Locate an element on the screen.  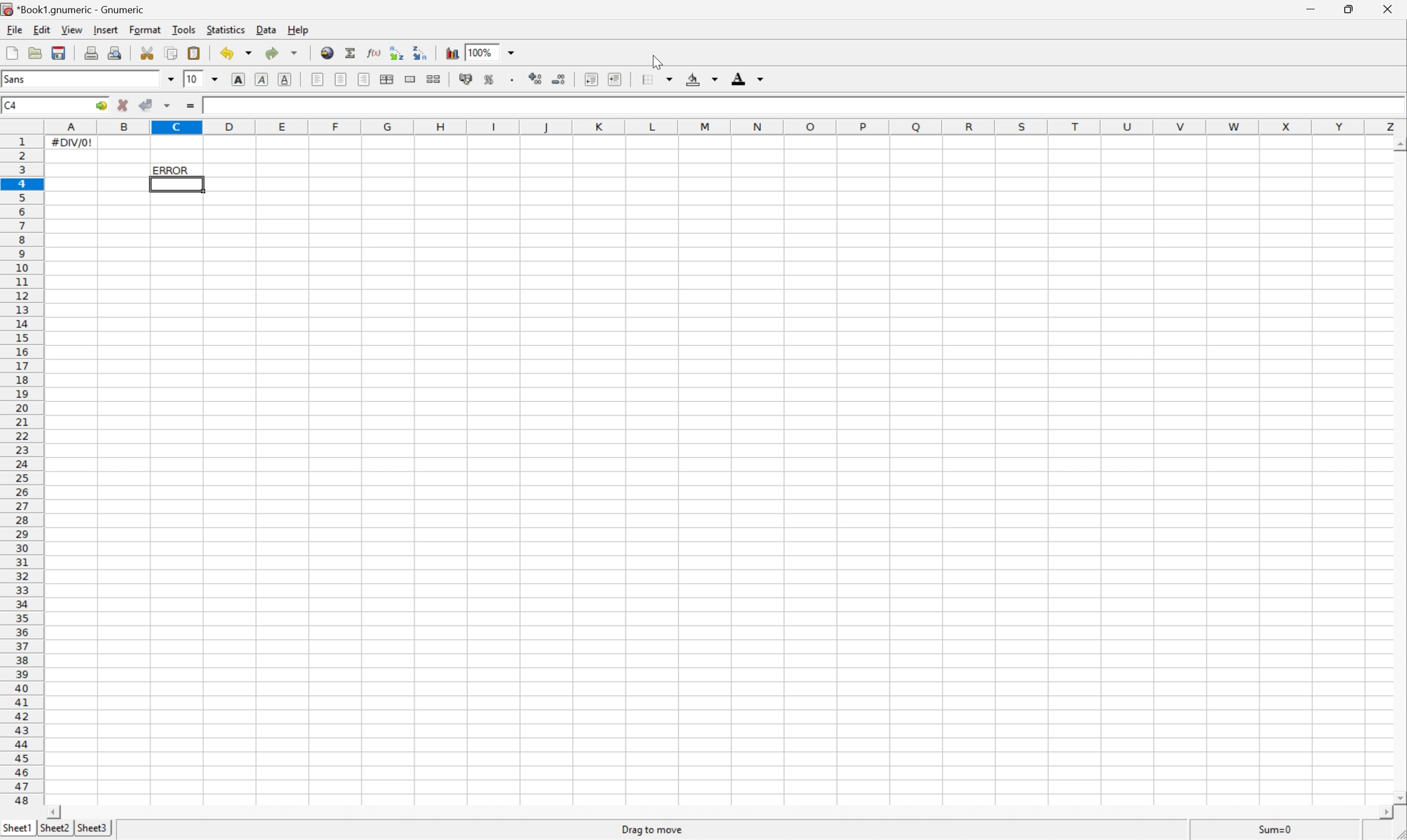
Italic is located at coordinates (261, 80).